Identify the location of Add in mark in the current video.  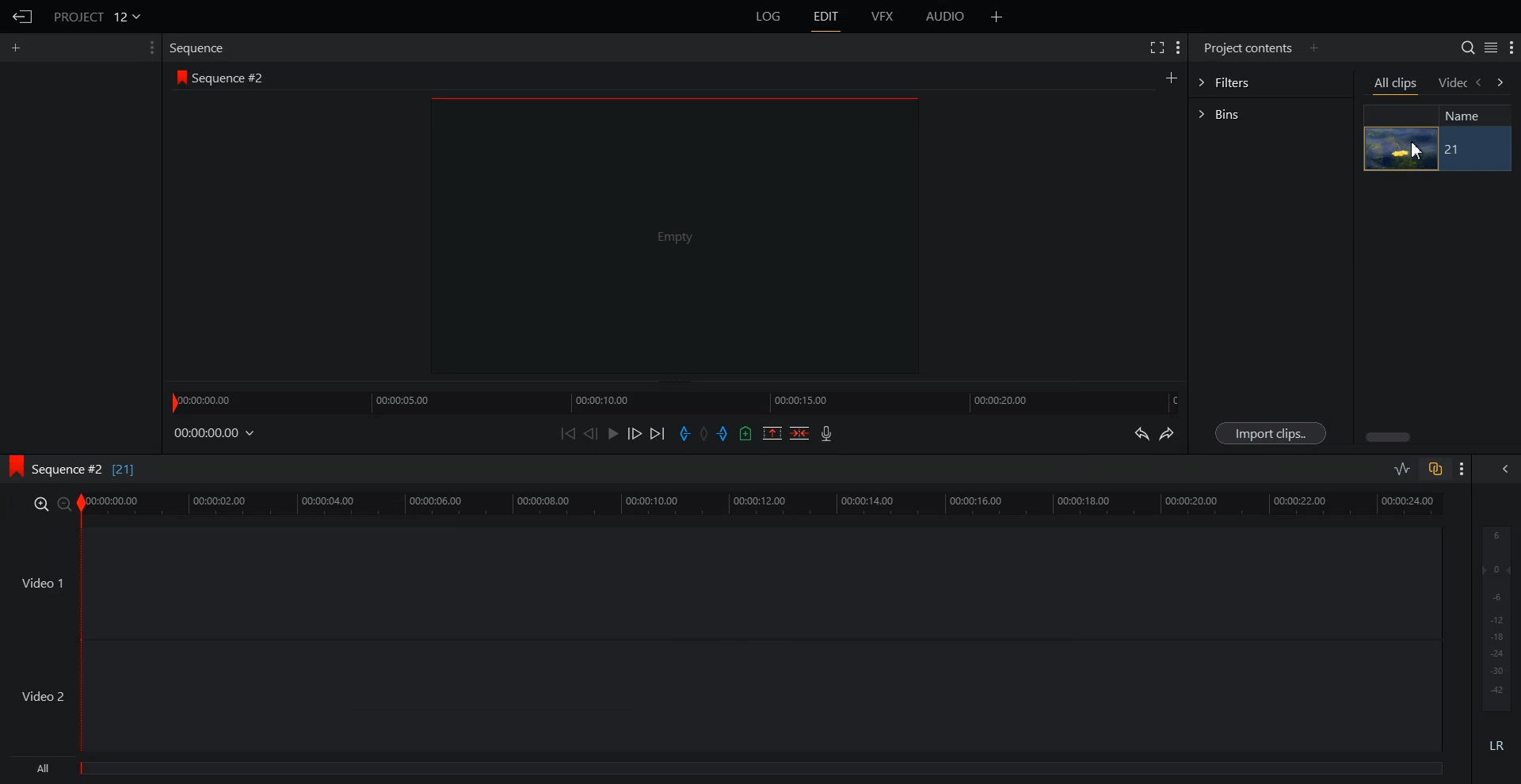
(684, 434).